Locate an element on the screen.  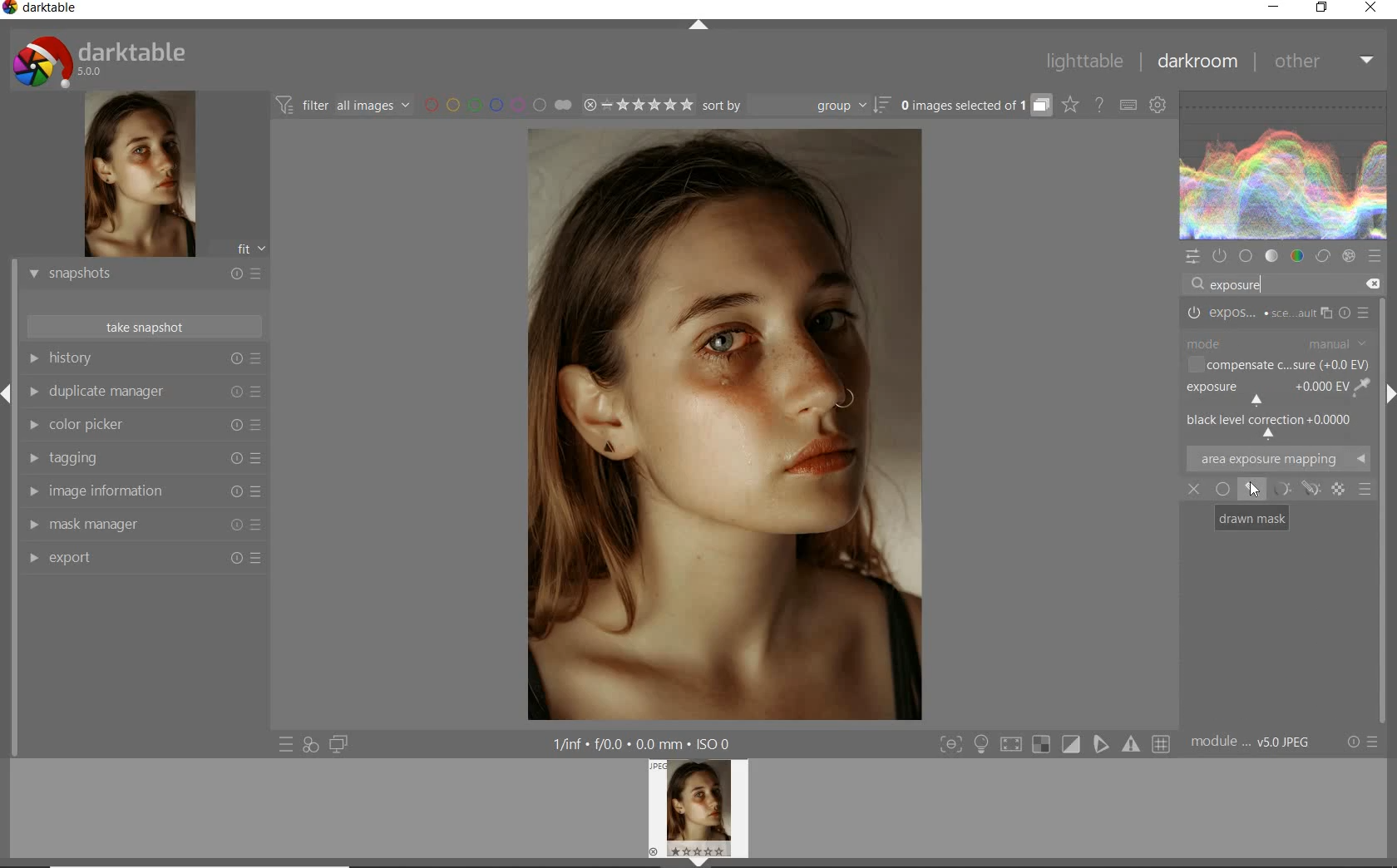
tagging is located at coordinates (143, 456).